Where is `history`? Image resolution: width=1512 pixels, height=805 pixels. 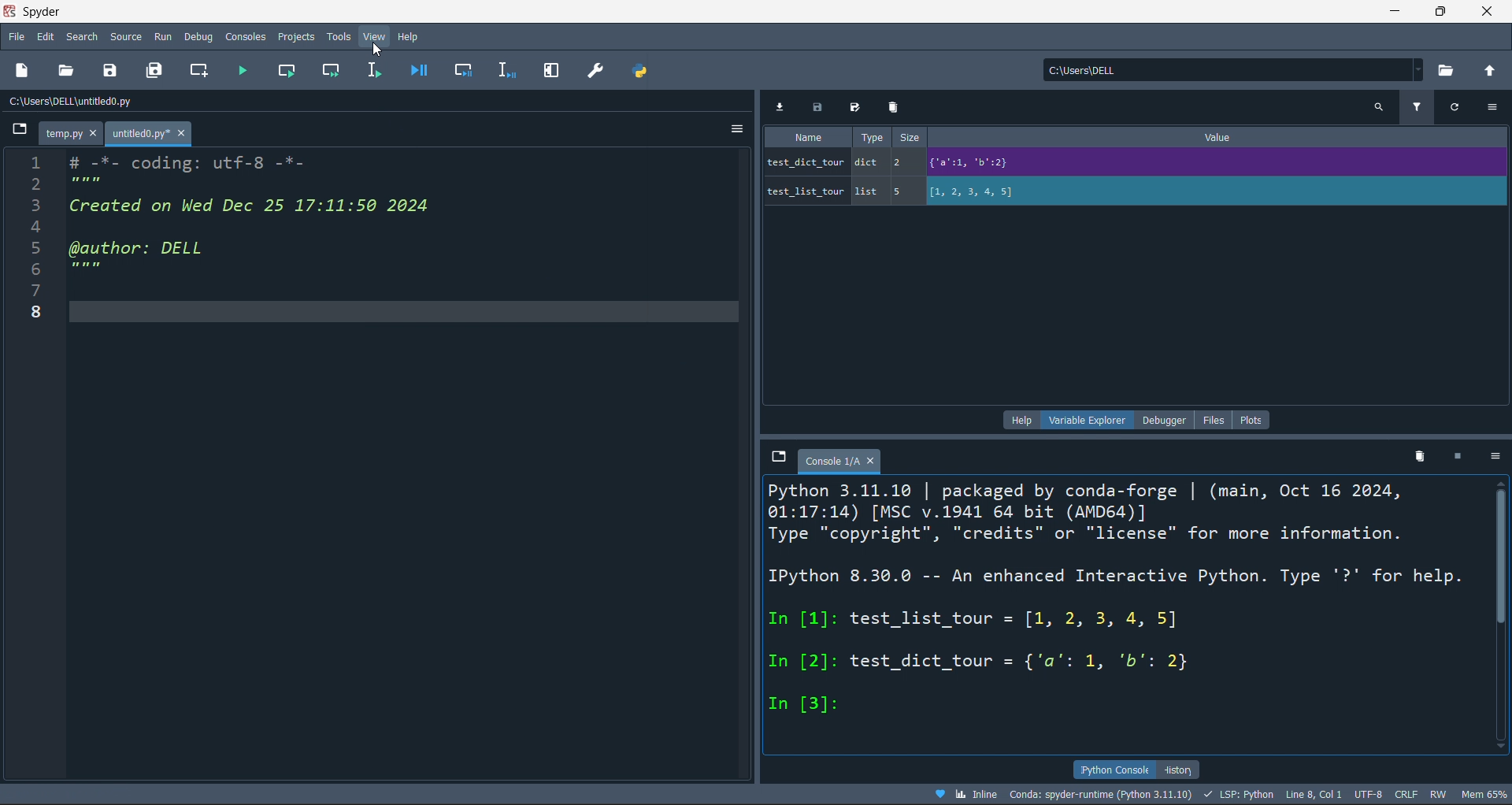
history is located at coordinates (1180, 770).